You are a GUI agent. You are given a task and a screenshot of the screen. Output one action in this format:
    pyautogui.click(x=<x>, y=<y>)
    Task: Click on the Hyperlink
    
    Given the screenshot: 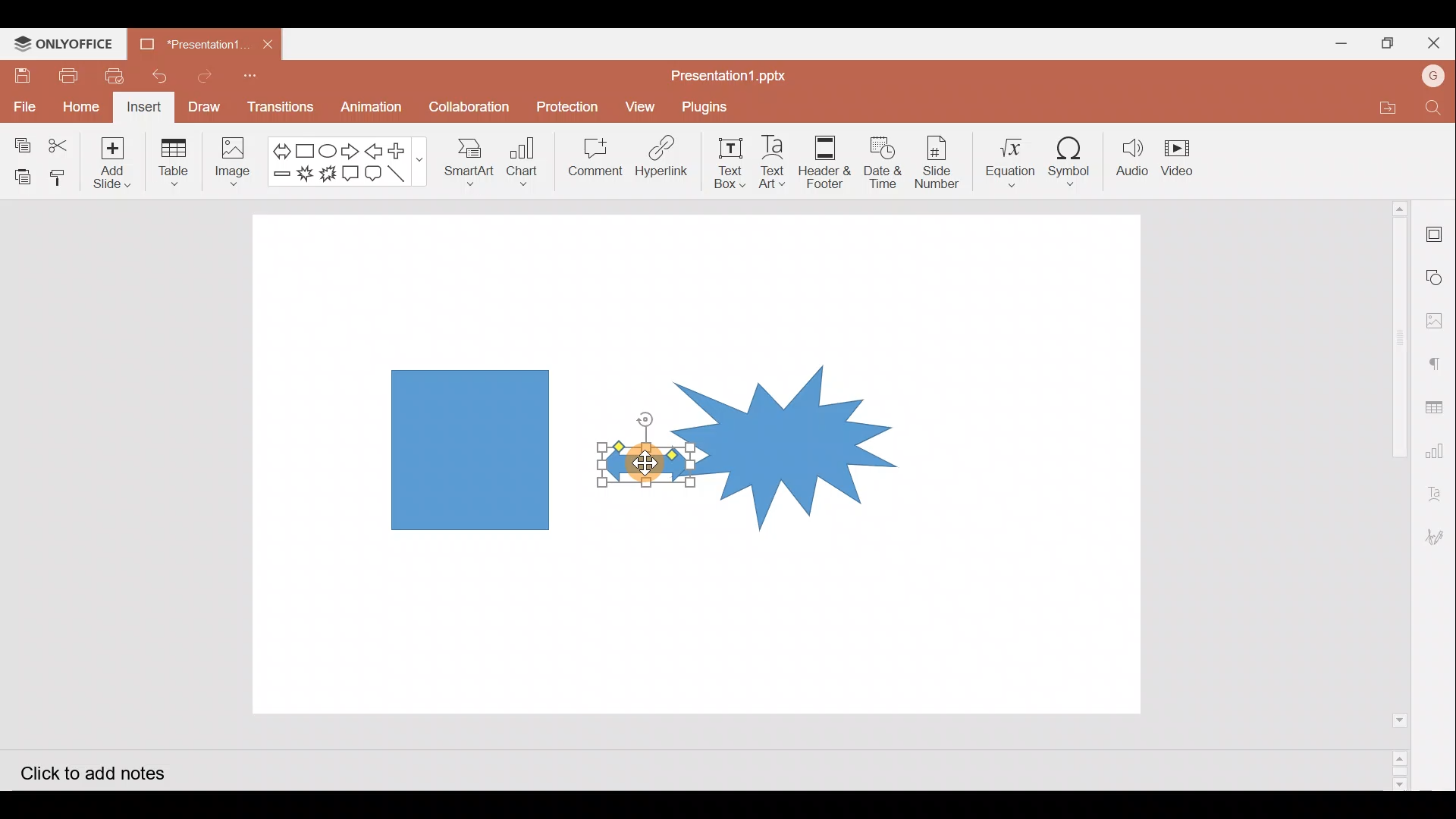 What is the action you would take?
    pyautogui.click(x=666, y=159)
    